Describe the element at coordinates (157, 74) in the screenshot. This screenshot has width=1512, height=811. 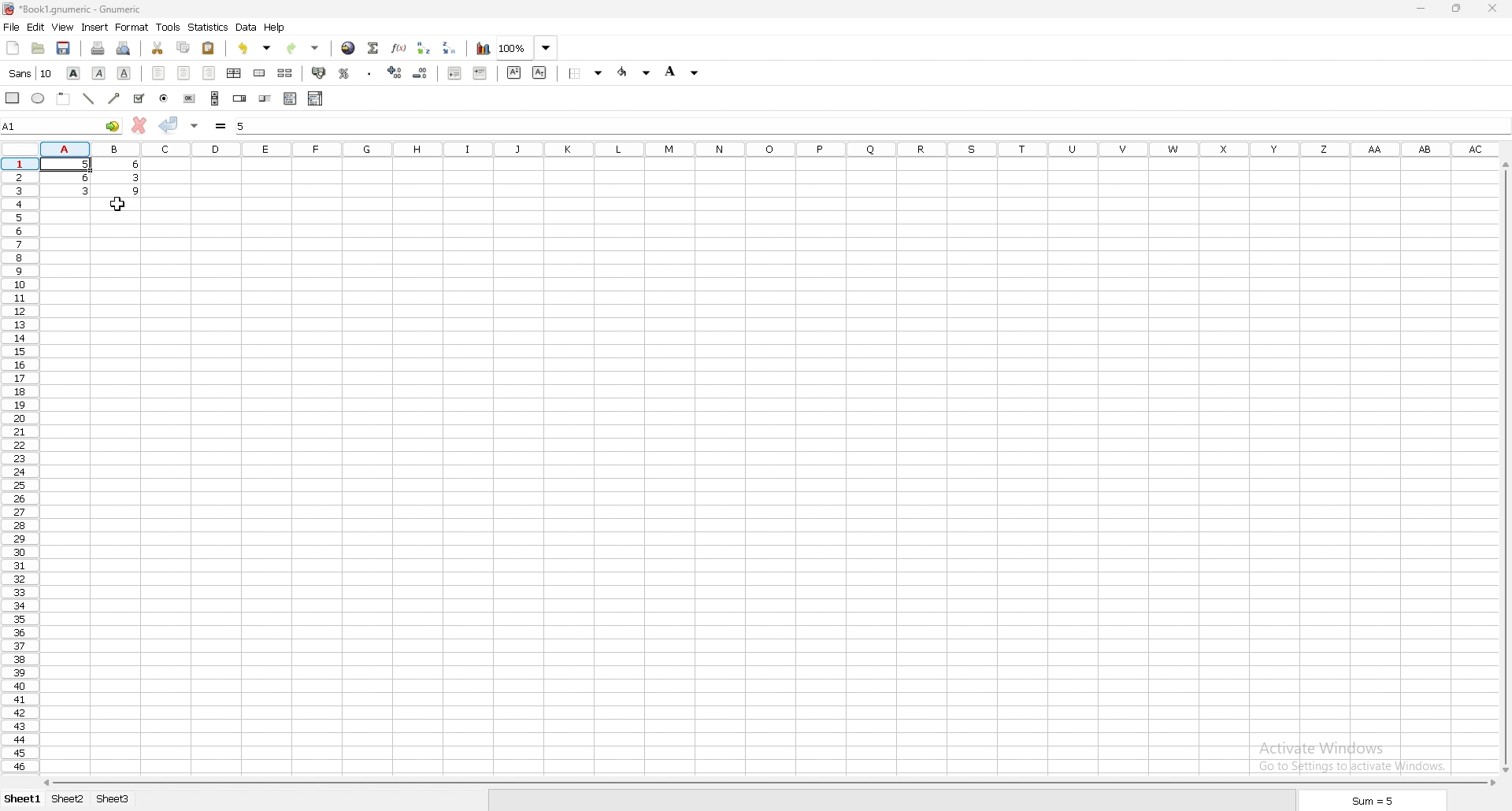
I see `align left` at that location.